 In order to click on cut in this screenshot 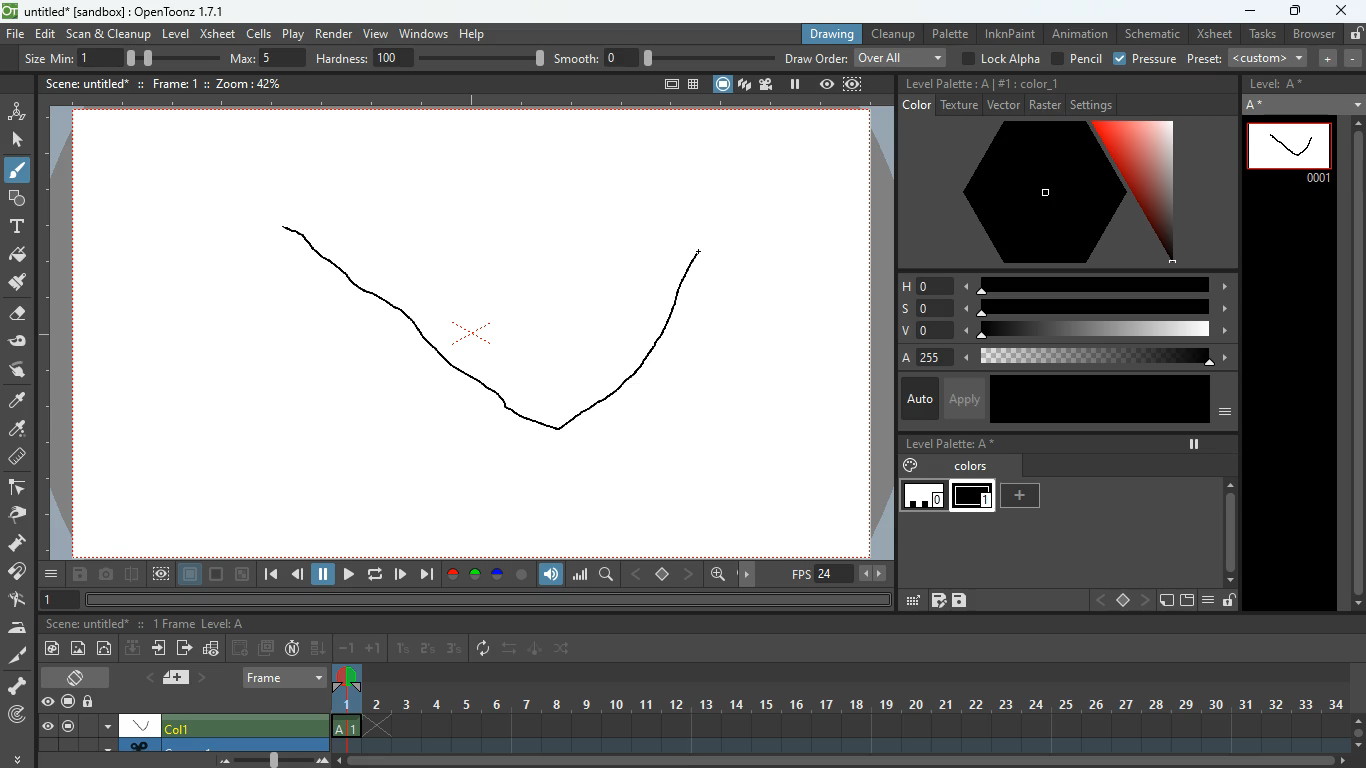, I will do `click(16, 657)`.